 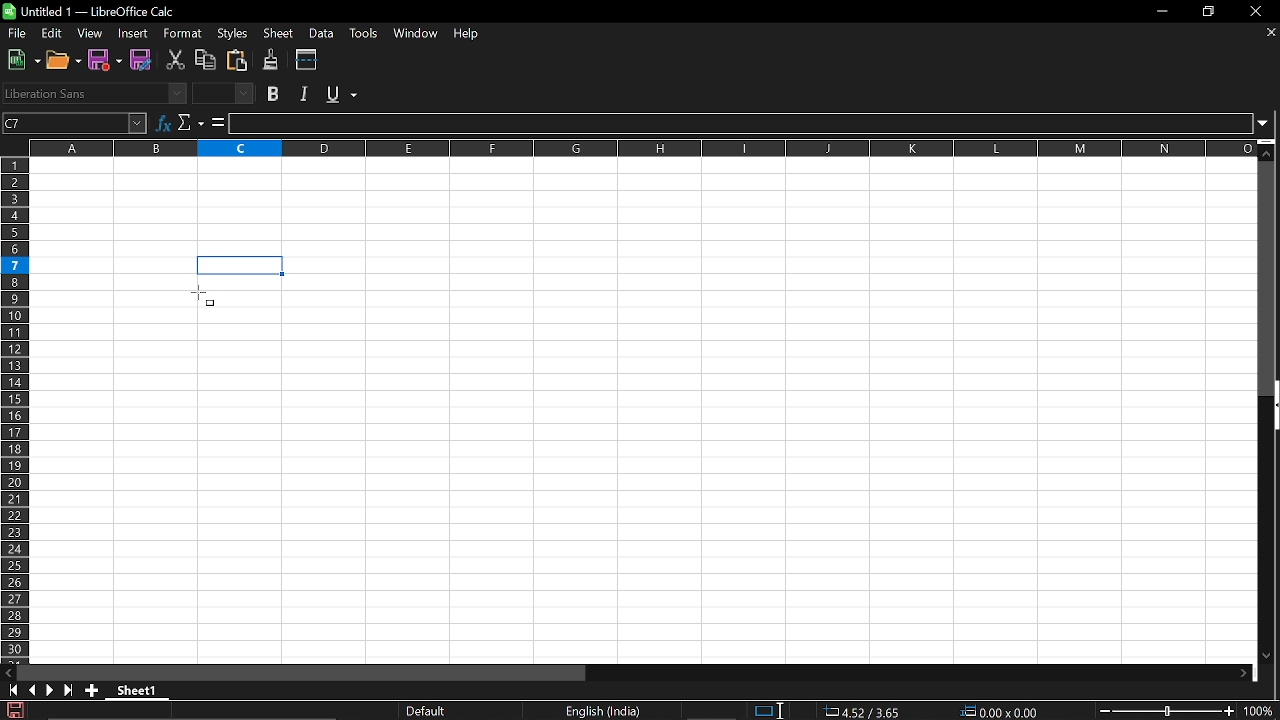 What do you see at coordinates (1243, 674) in the screenshot?
I see `Move right` at bounding box center [1243, 674].